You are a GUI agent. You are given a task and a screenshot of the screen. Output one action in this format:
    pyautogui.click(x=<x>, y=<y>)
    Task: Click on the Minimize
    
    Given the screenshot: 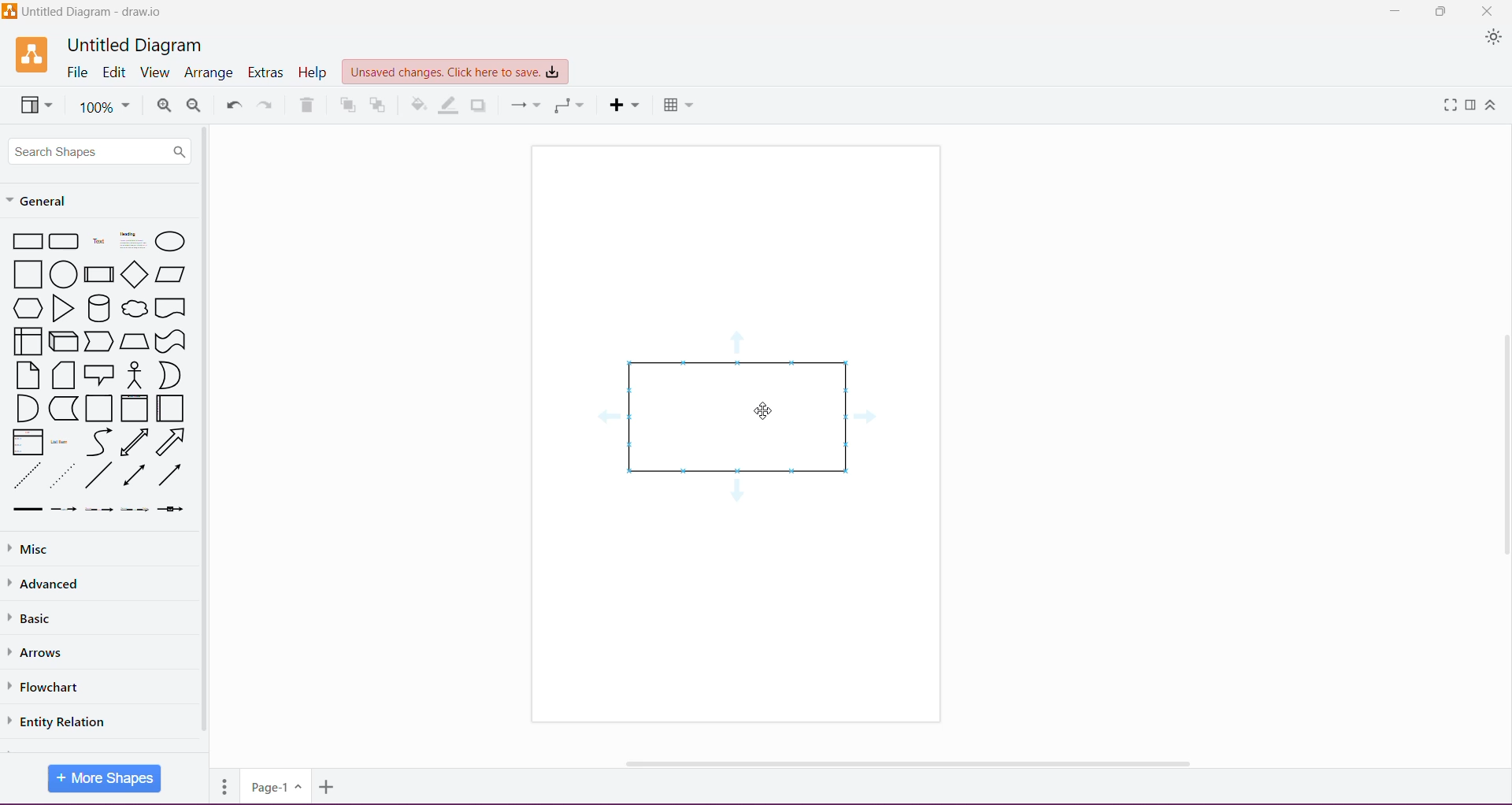 What is the action you would take?
    pyautogui.click(x=1399, y=11)
    